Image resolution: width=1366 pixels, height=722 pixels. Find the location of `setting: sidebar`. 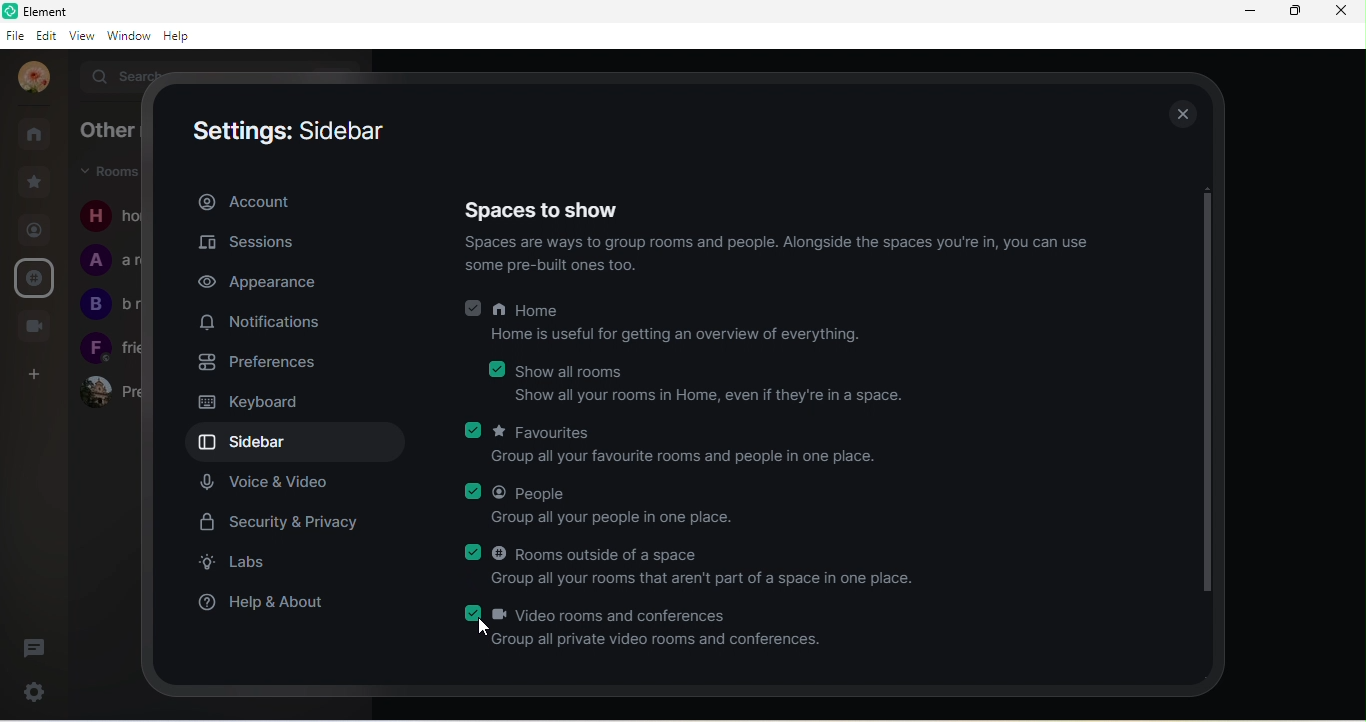

setting: sidebar is located at coordinates (293, 131).